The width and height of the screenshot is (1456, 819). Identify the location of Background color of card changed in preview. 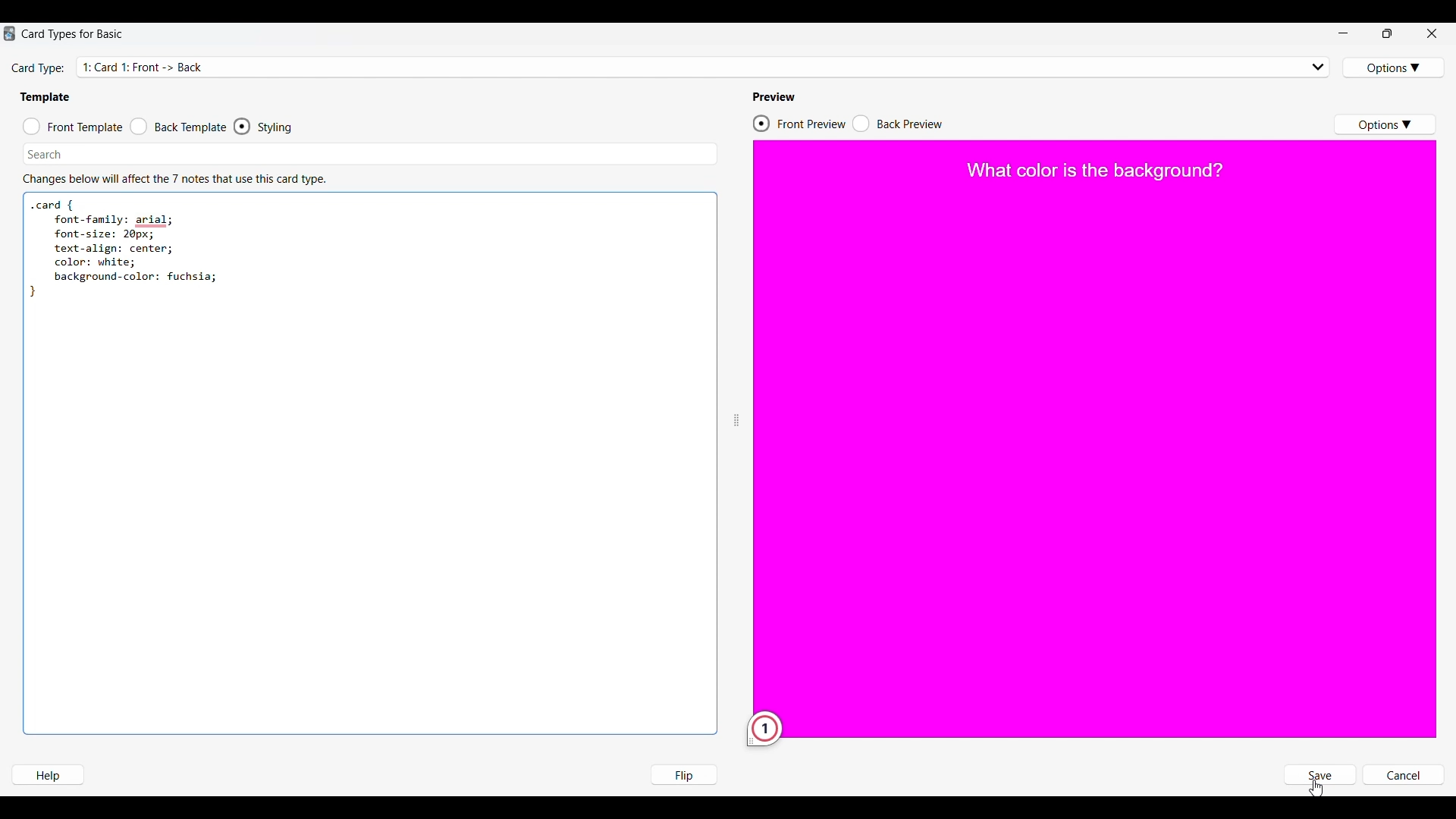
(1097, 444).